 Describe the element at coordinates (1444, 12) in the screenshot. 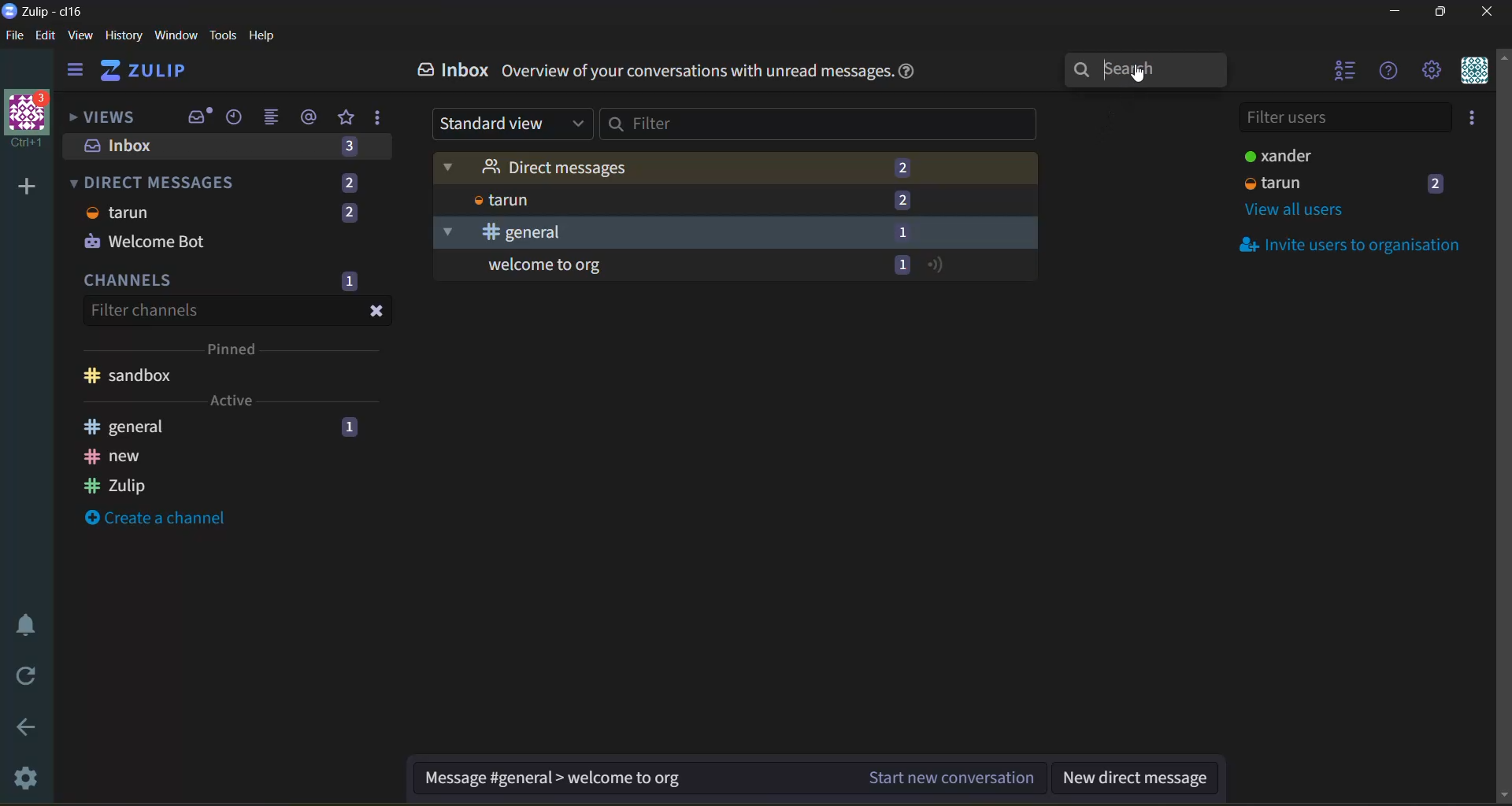

I see `maximize` at that location.